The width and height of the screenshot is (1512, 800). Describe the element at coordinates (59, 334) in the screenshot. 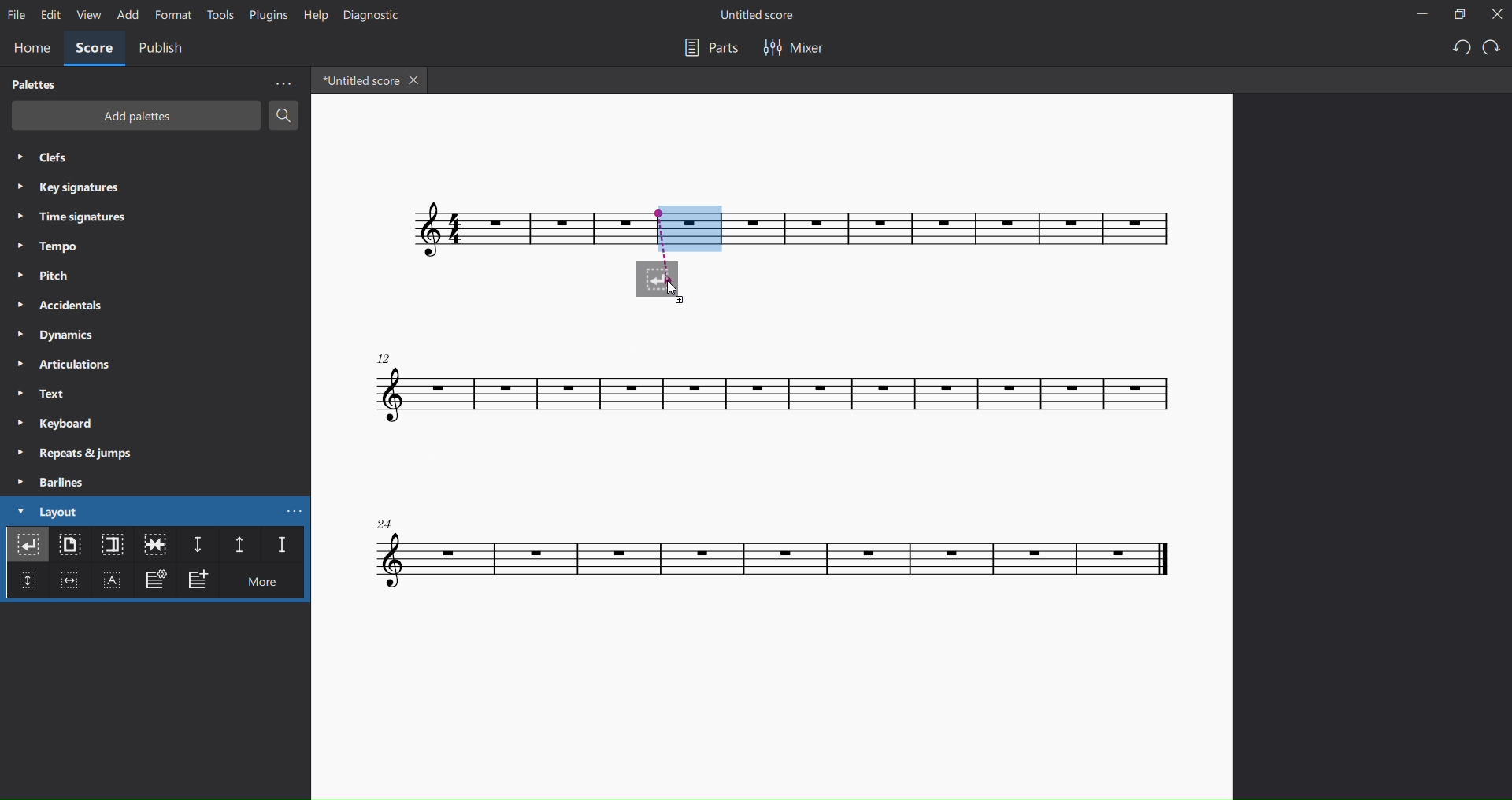

I see `dynamics` at that location.